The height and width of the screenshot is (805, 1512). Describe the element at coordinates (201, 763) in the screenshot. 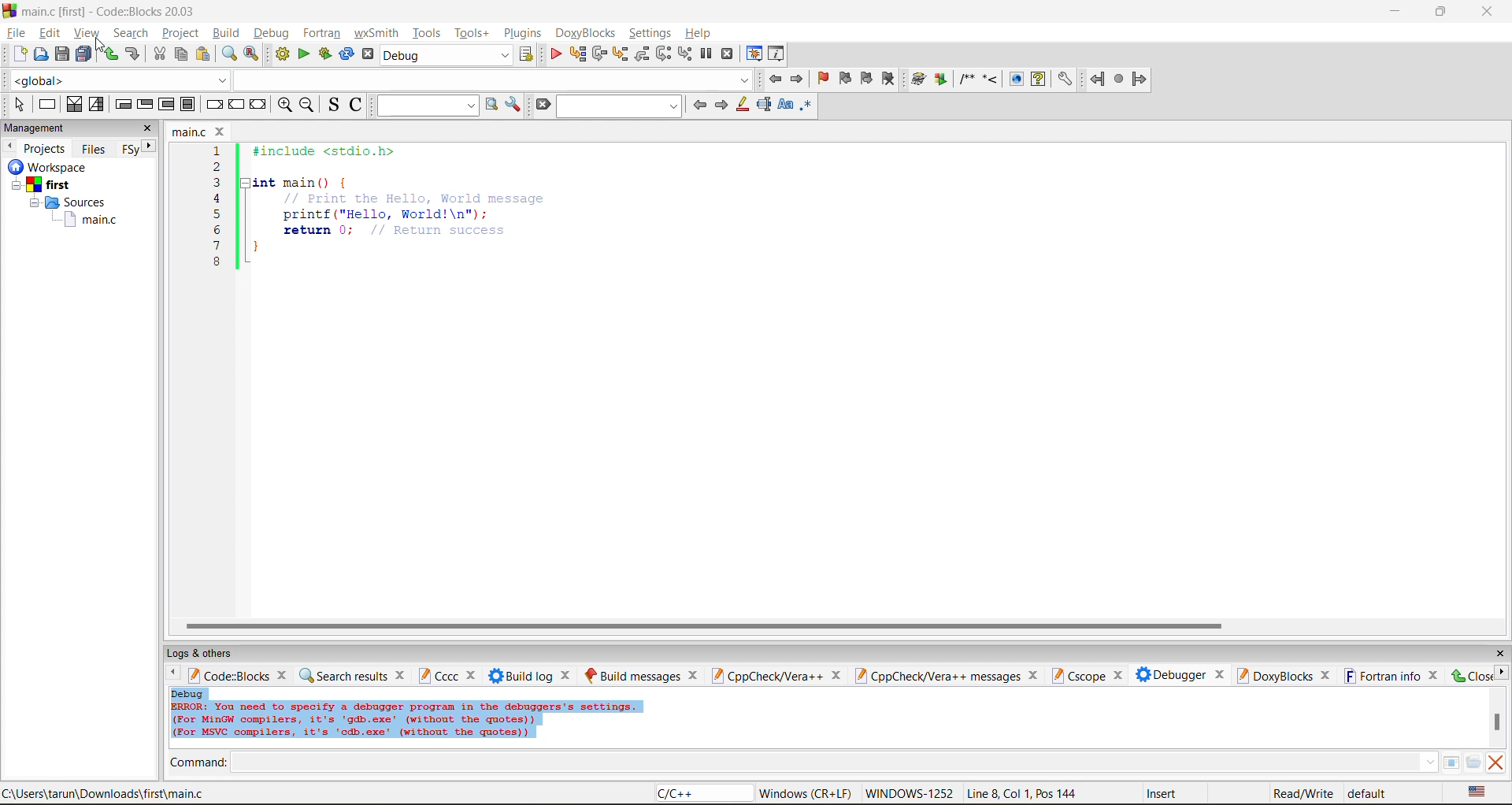

I see `command` at that location.